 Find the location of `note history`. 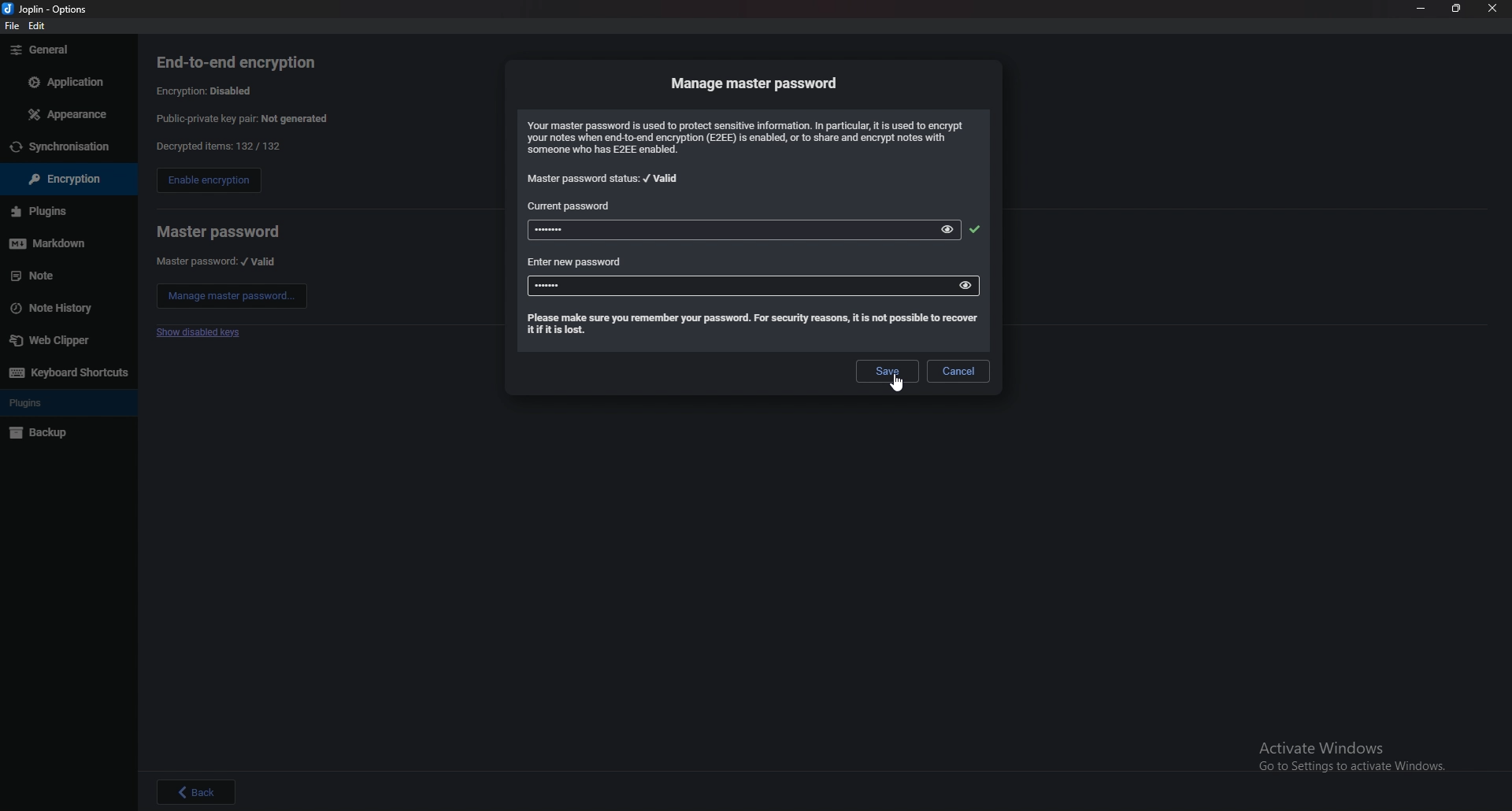

note history is located at coordinates (64, 307).